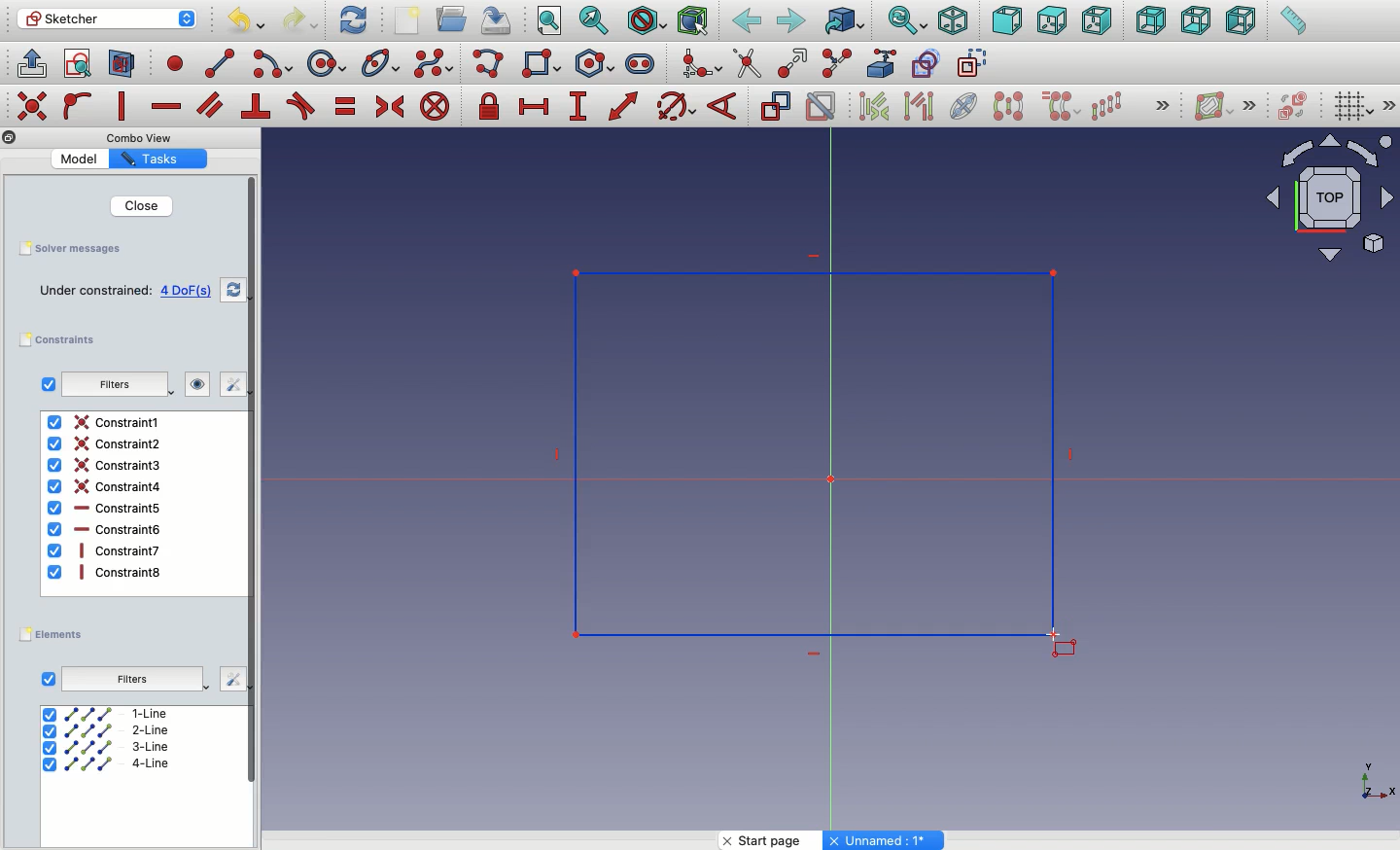  I want to click on Close, so click(129, 205).